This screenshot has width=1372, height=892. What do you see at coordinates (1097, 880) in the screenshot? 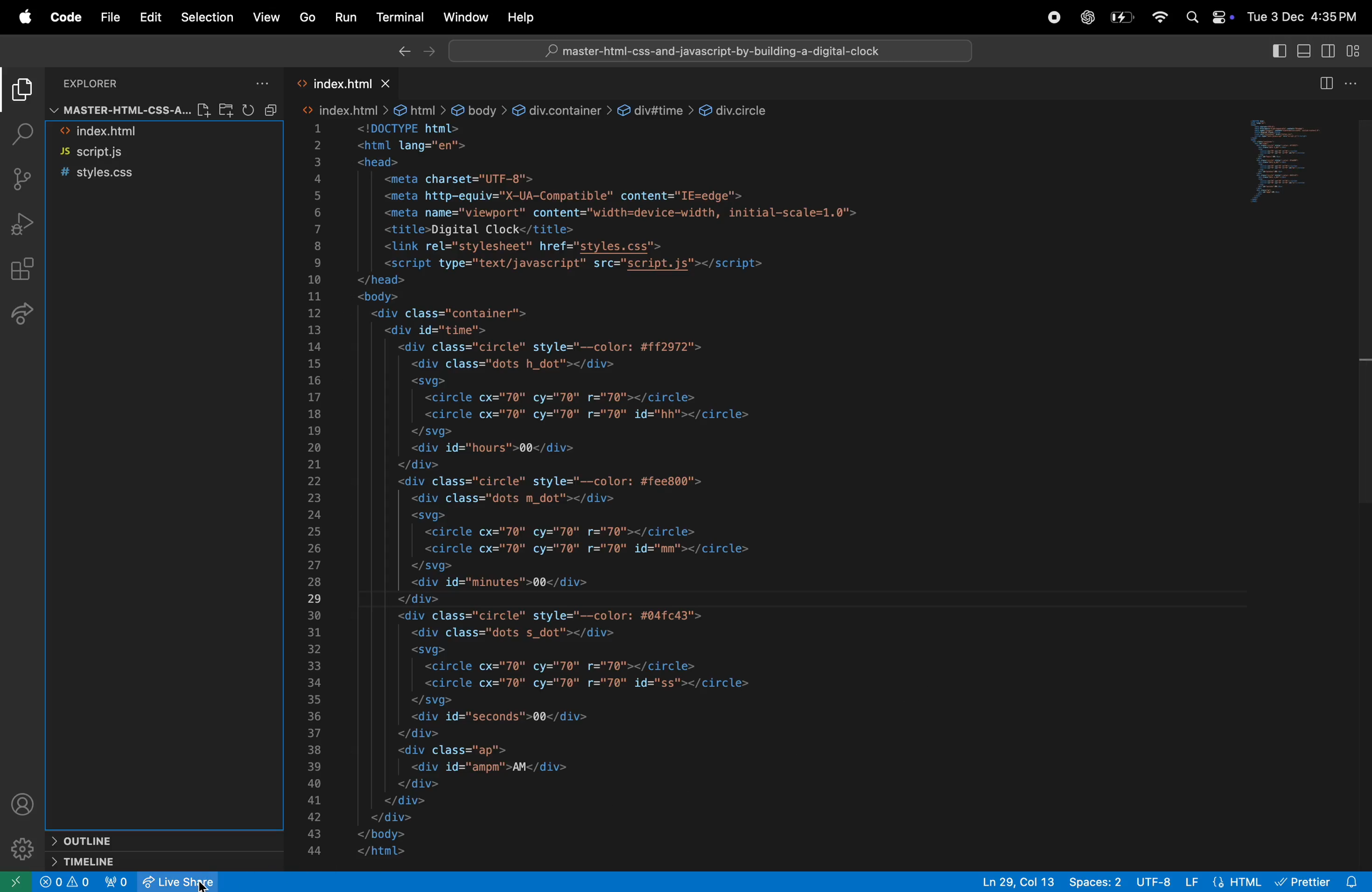
I see `space 2` at bounding box center [1097, 880].